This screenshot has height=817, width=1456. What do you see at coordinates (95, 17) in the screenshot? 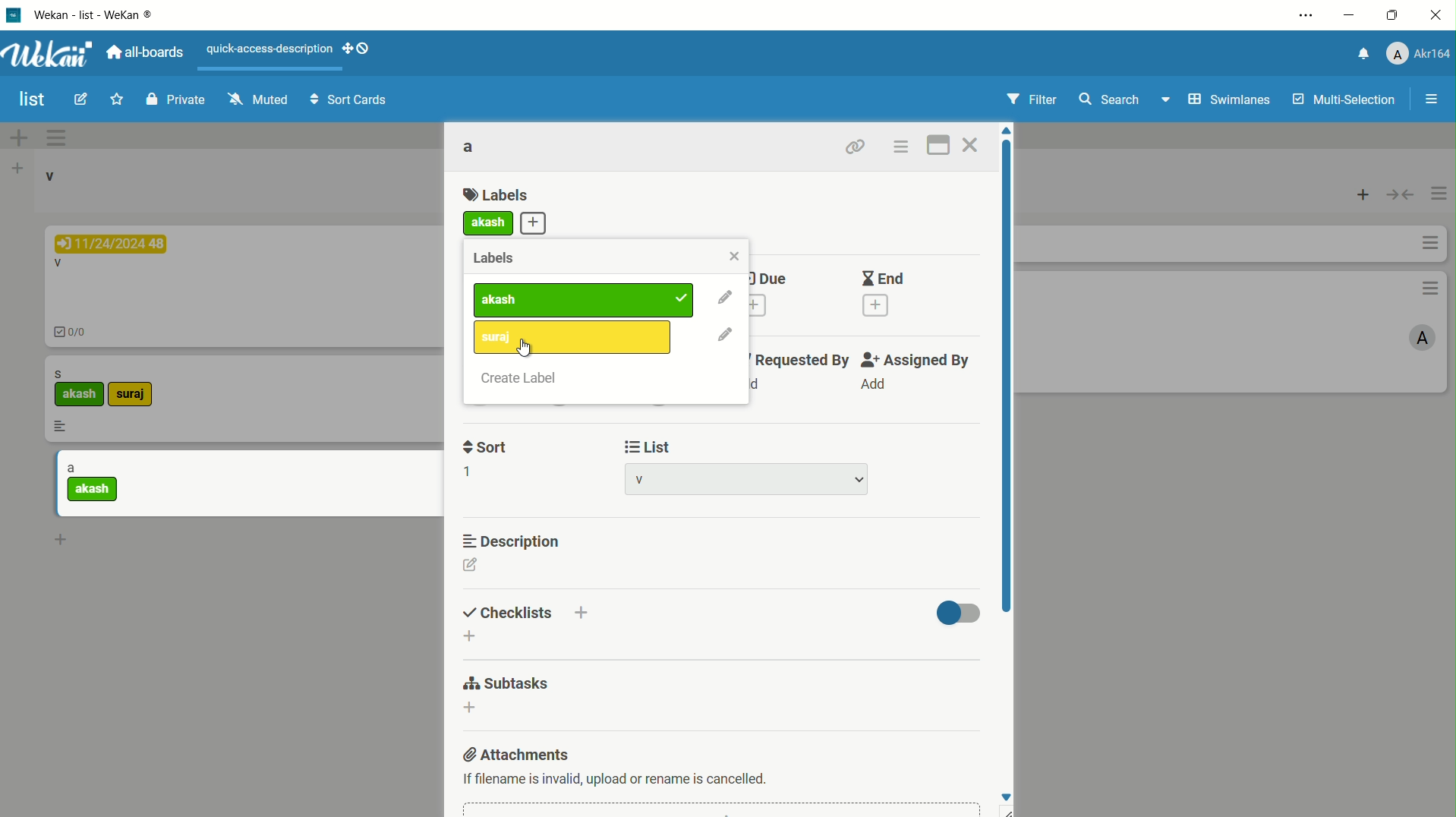
I see `app name` at bounding box center [95, 17].